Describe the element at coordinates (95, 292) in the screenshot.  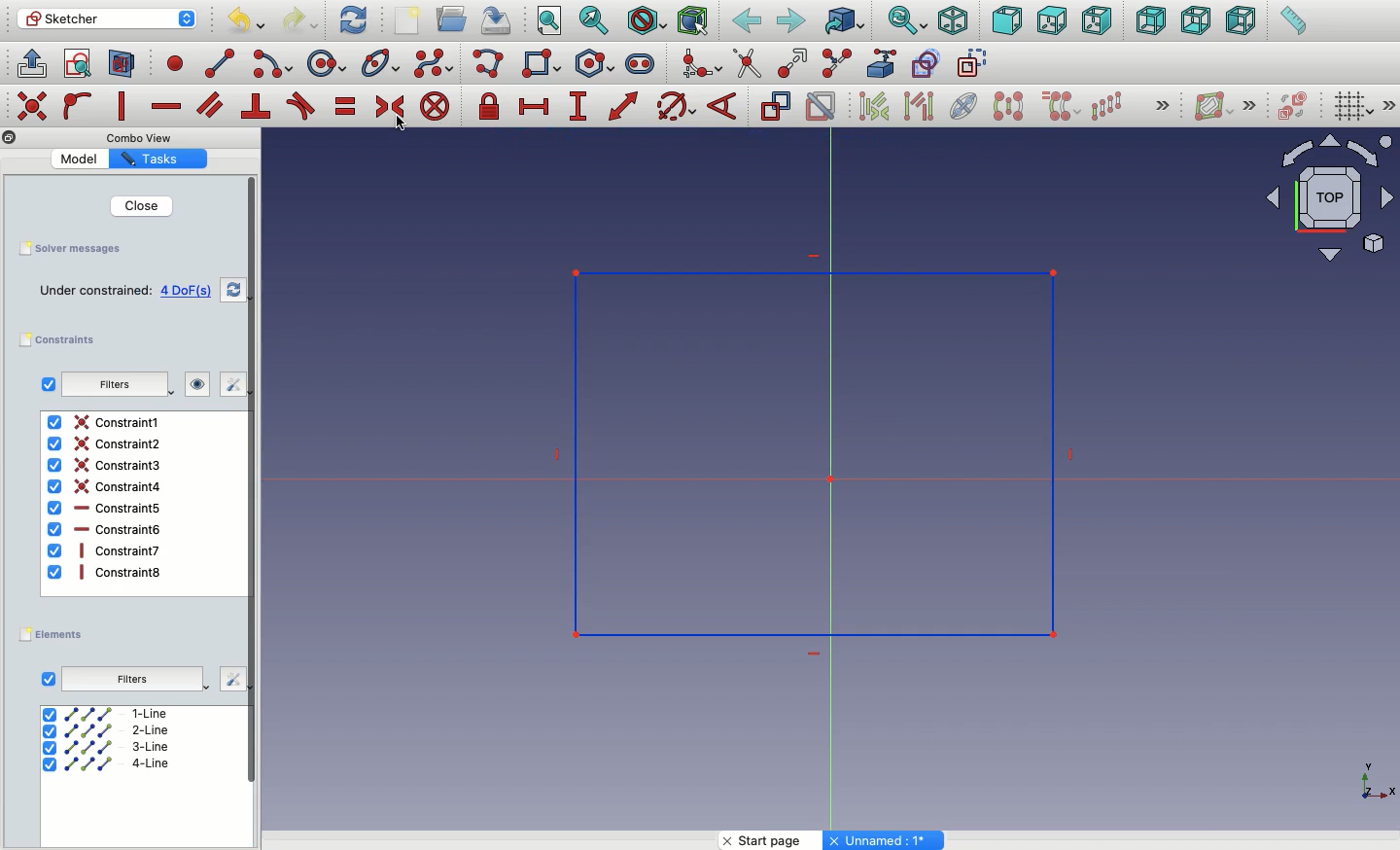
I see `Under constrained:` at that location.